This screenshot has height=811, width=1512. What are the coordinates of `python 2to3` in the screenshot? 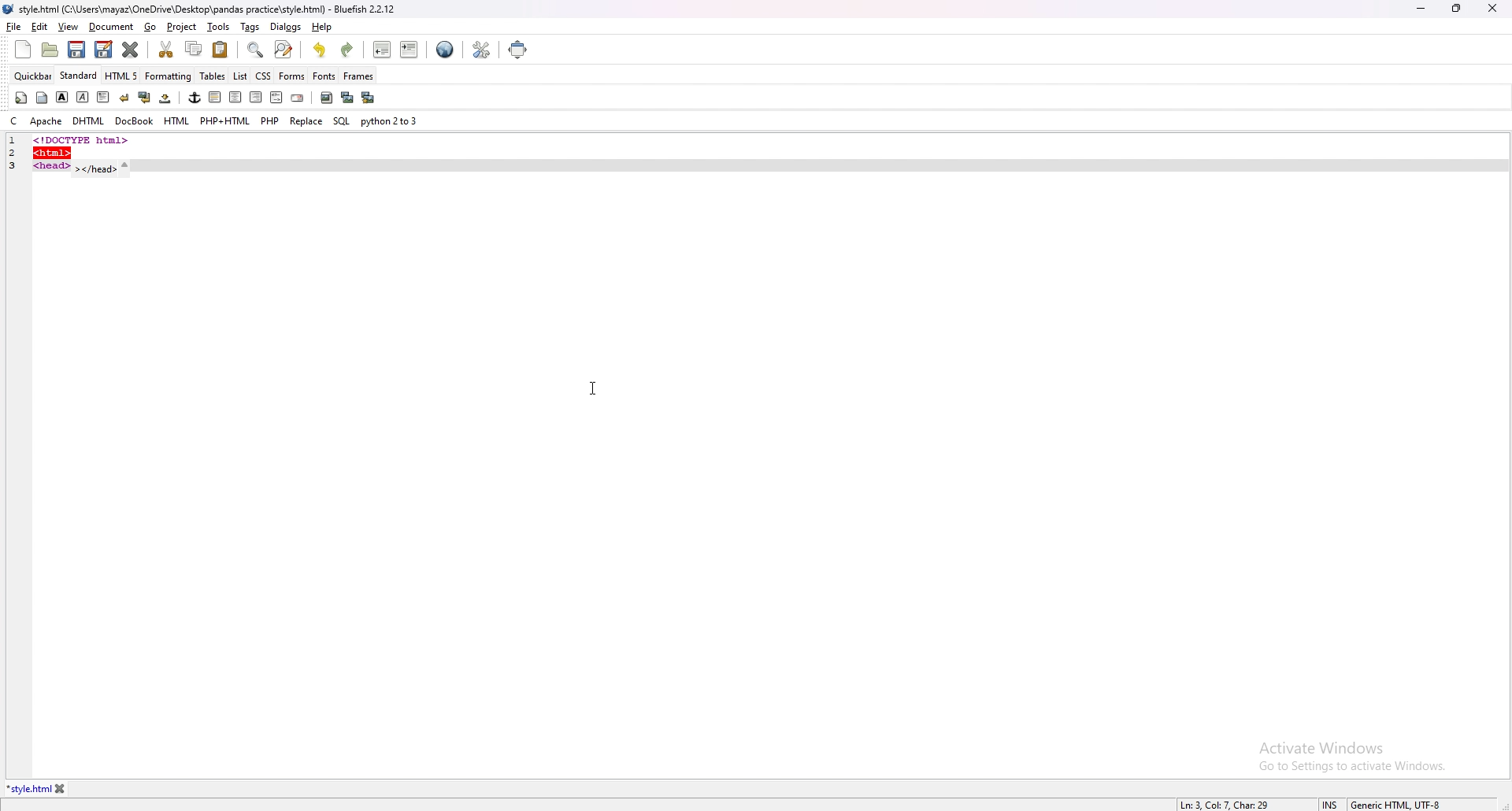 It's located at (391, 121).